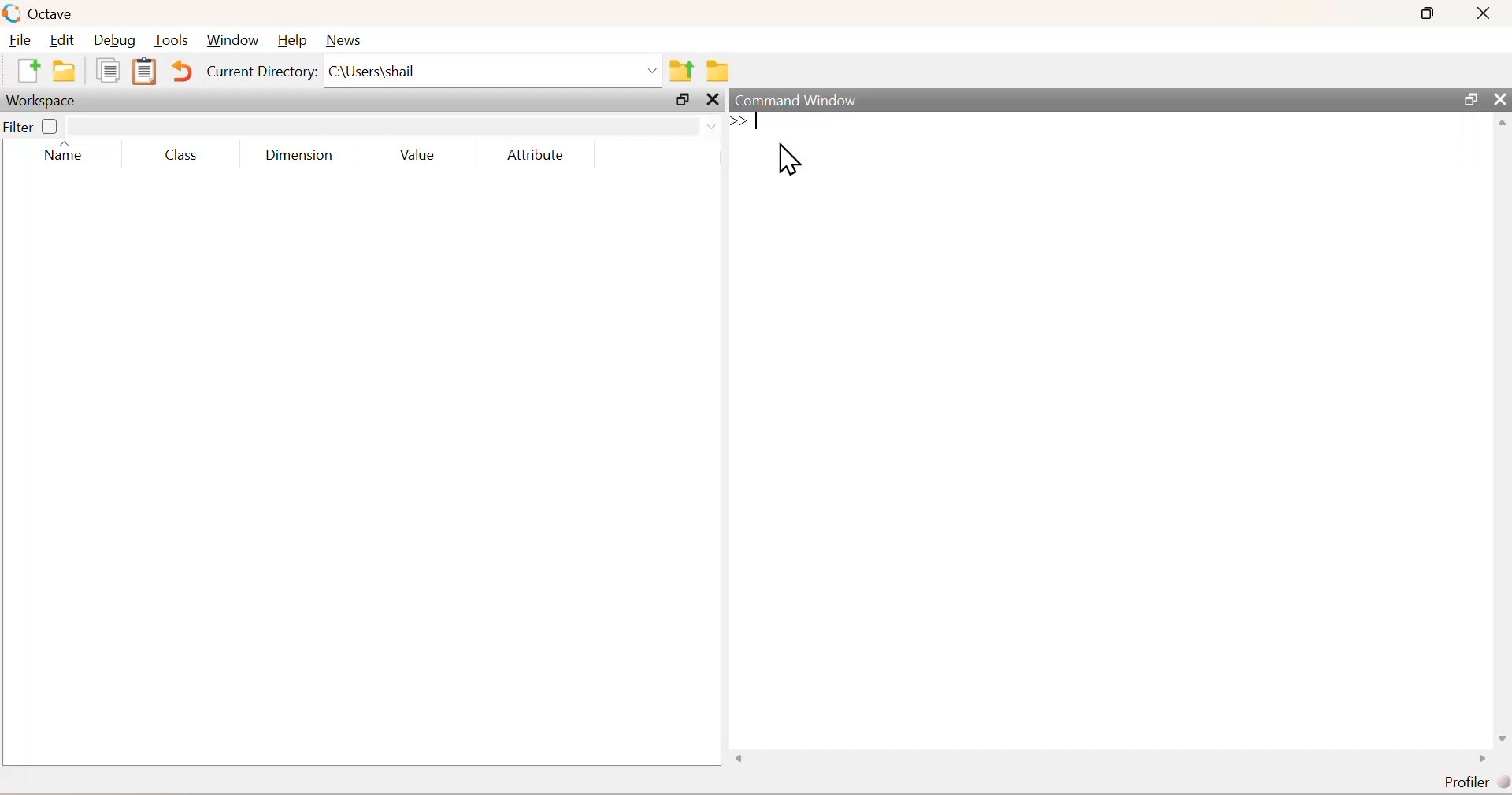 The image size is (1512, 795). Describe the element at coordinates (739, 758) in the screenshot. I see `scroll right` at that location.